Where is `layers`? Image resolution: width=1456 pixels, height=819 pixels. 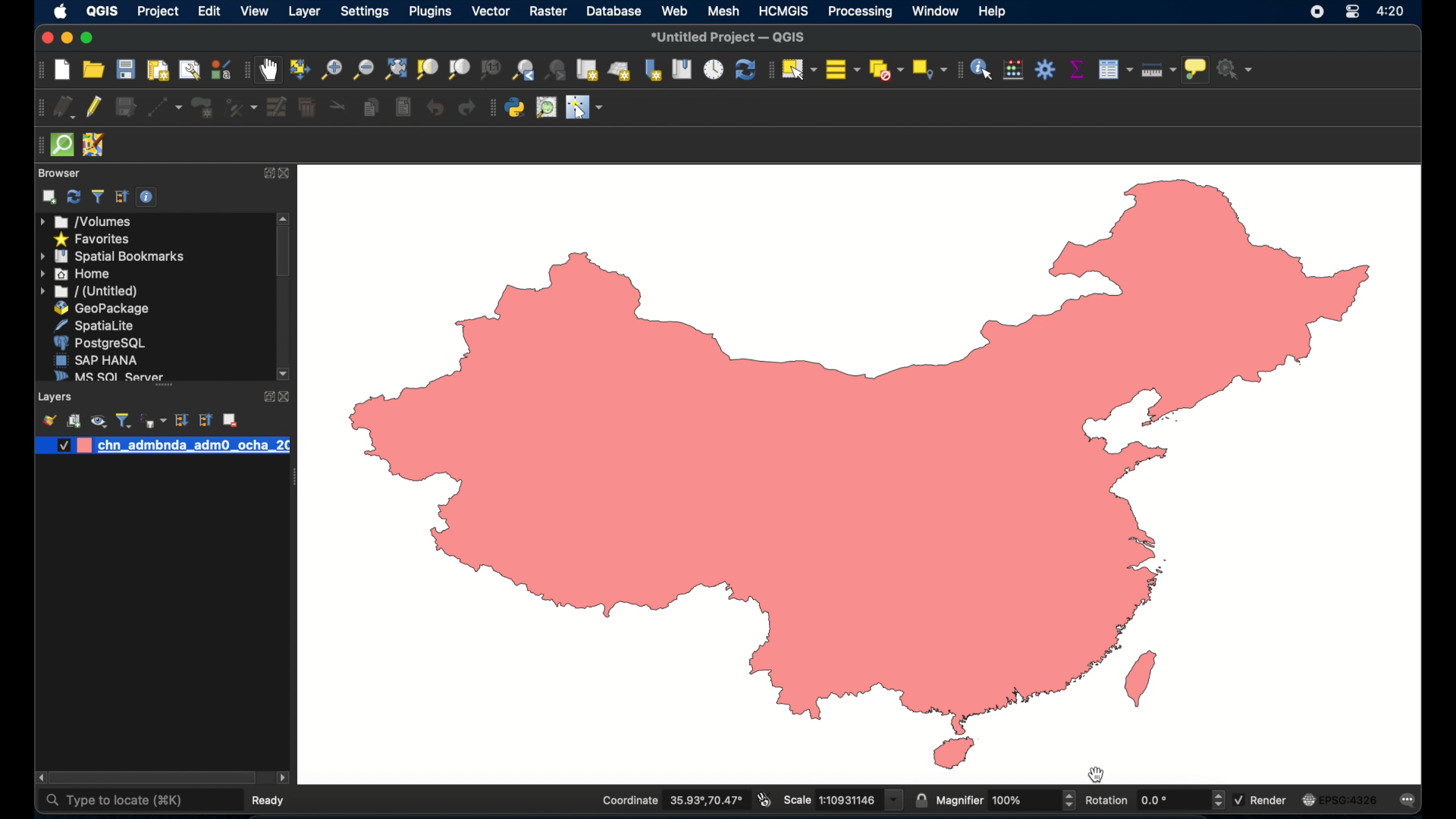 layers is located at coordinates (57, 397).